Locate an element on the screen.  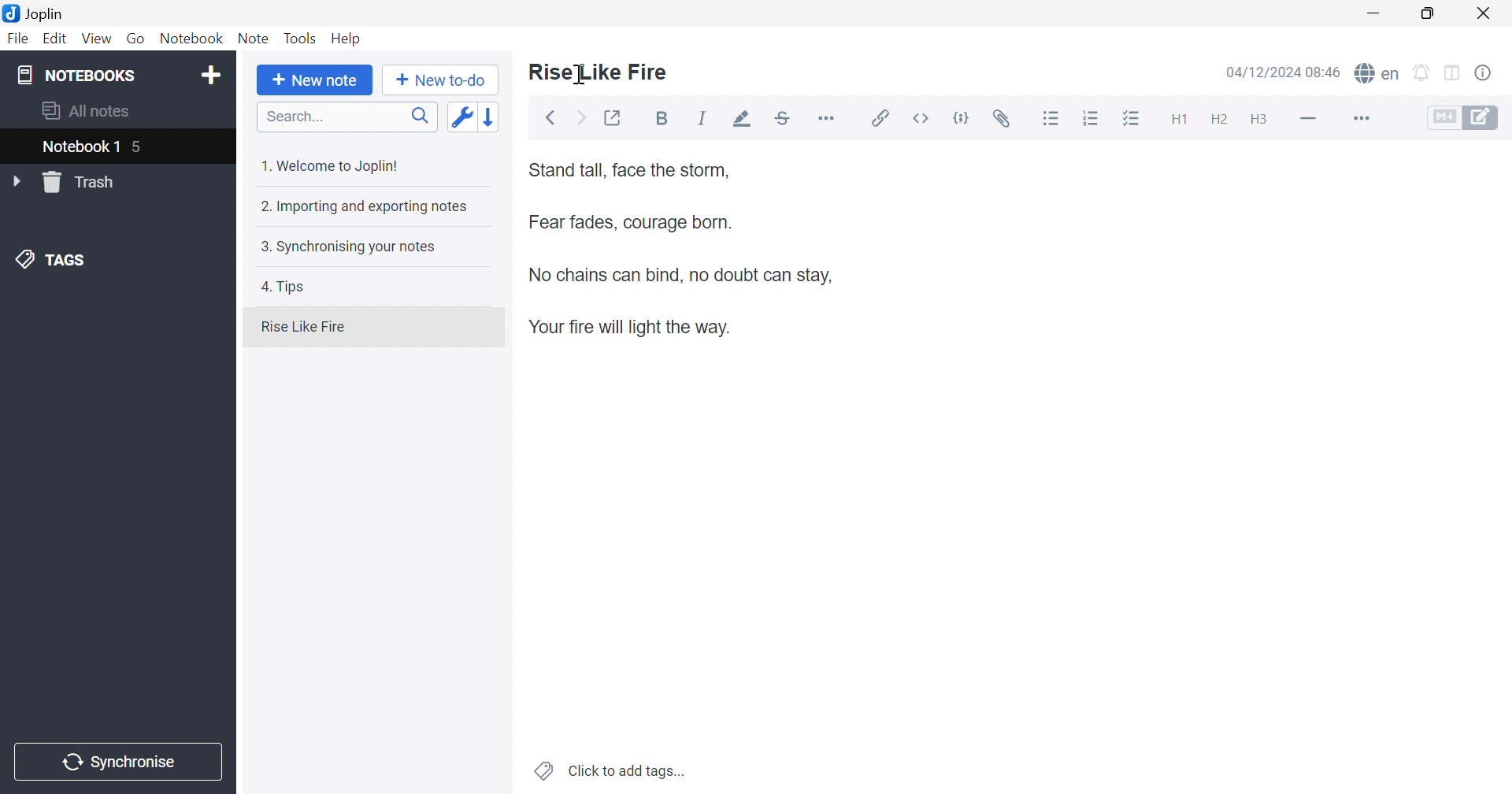
More is located at coordinates (1360, 120).